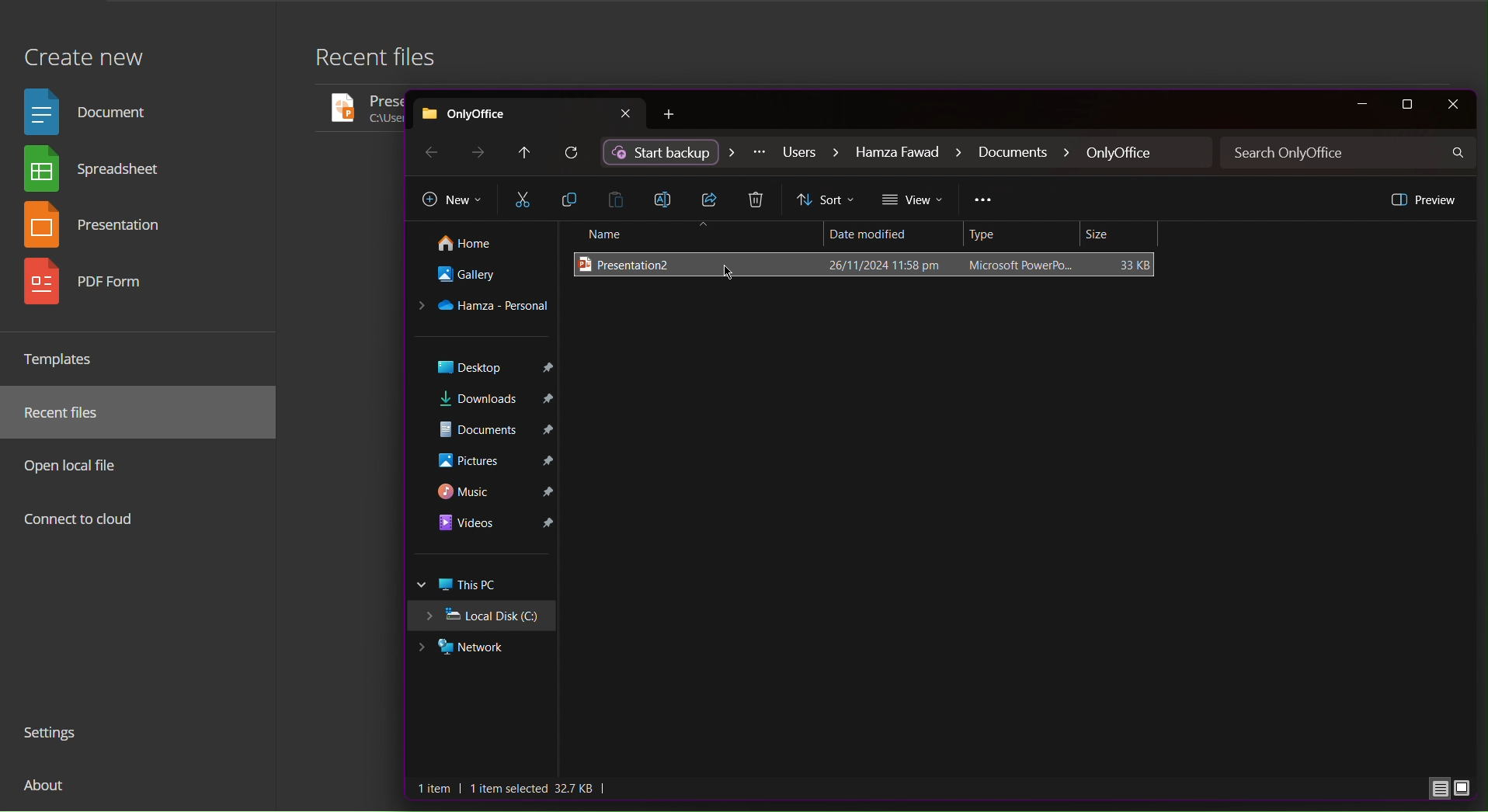 The image size is (1488, 812). What do you see at coordinates (47, 791) in the screenshot?
I see `About` at bounding box center [47, 791].